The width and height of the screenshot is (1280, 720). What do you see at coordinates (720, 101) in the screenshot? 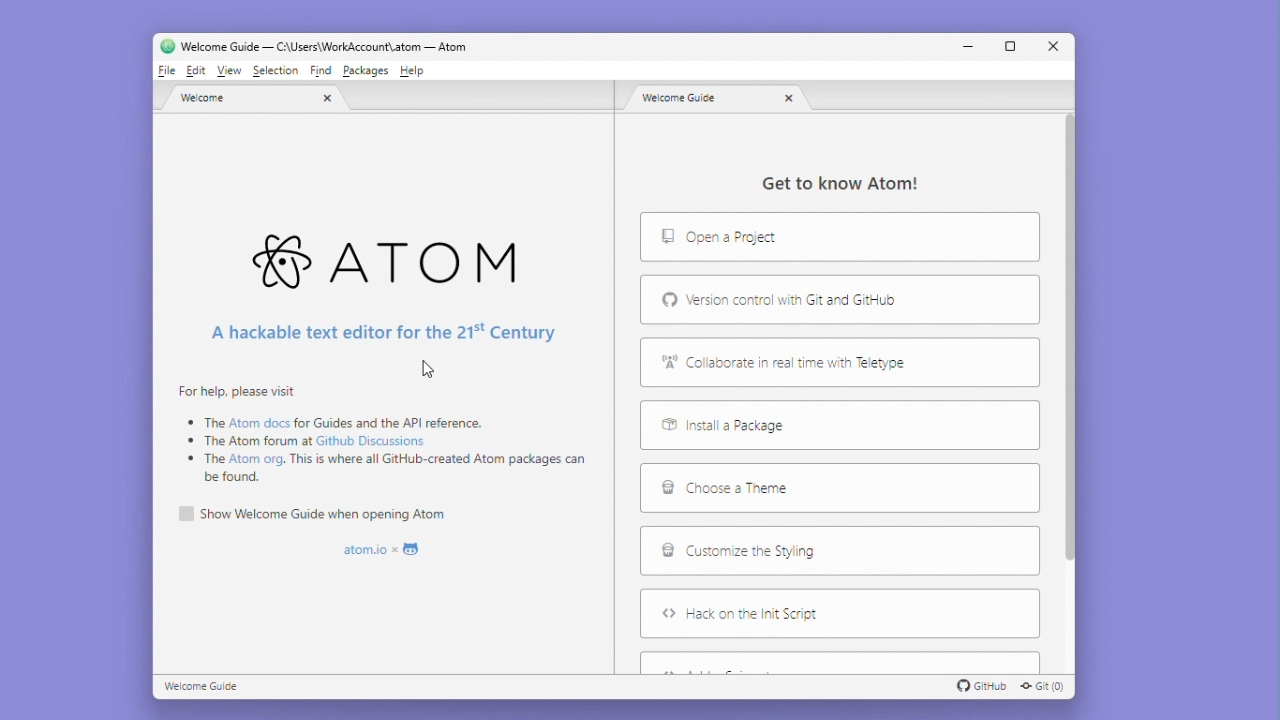
I see `Welcome guide` at bounding box center [720, 101].